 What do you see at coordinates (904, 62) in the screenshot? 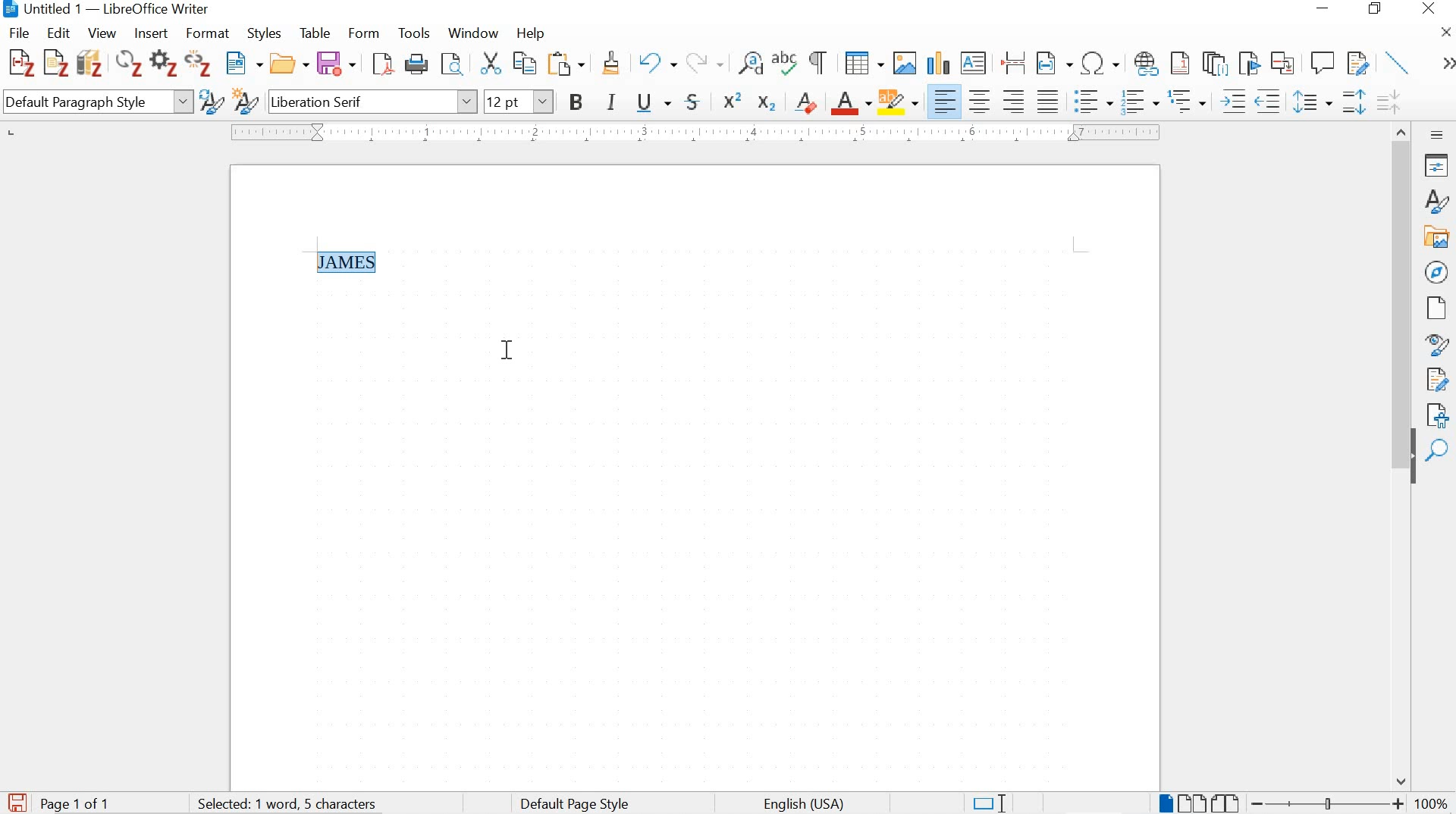
I see `insert image` at bounding box center [904, 62].